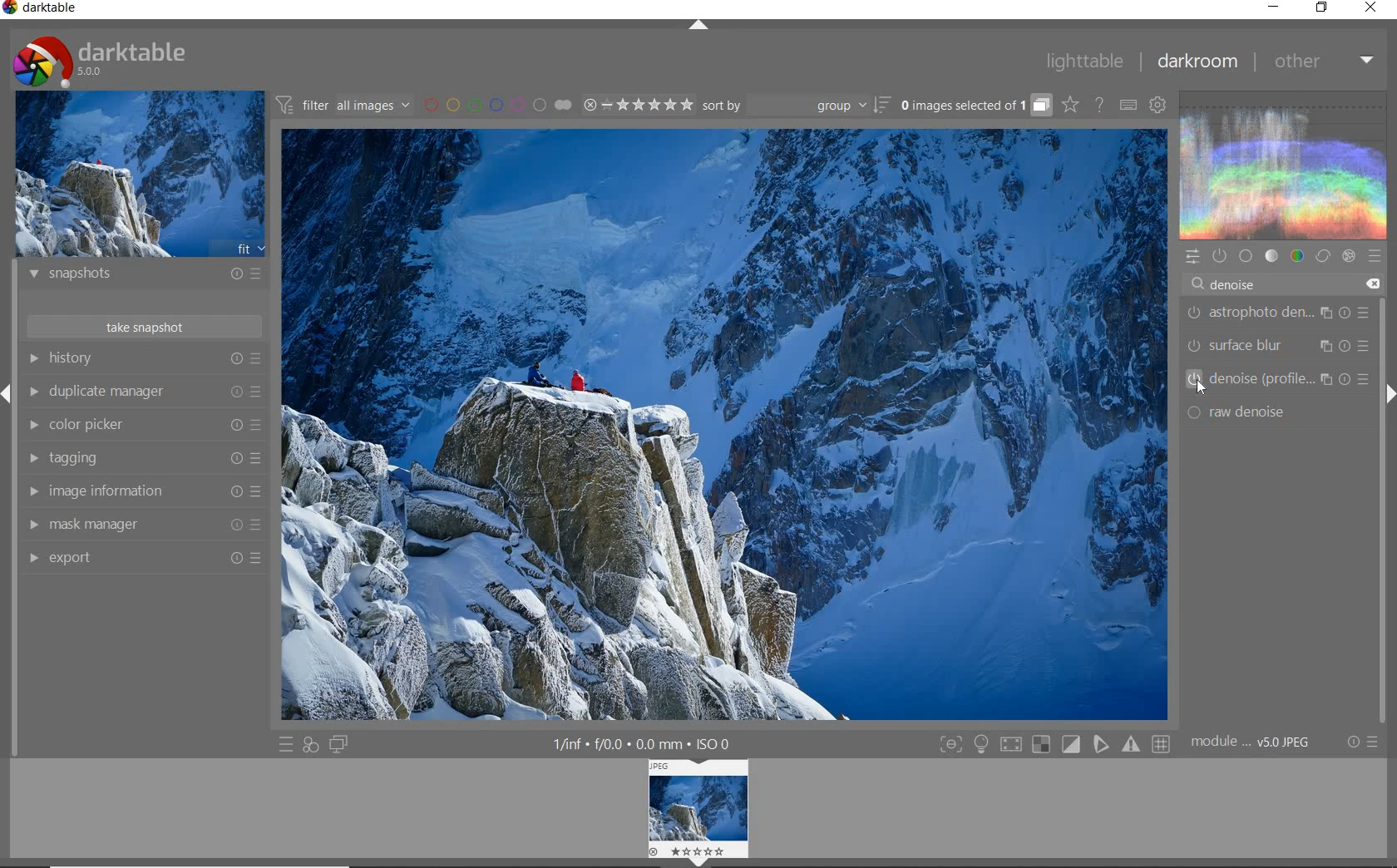 The image size is (1397, 868). I want to click on quick access panel, so click(1191, 257).